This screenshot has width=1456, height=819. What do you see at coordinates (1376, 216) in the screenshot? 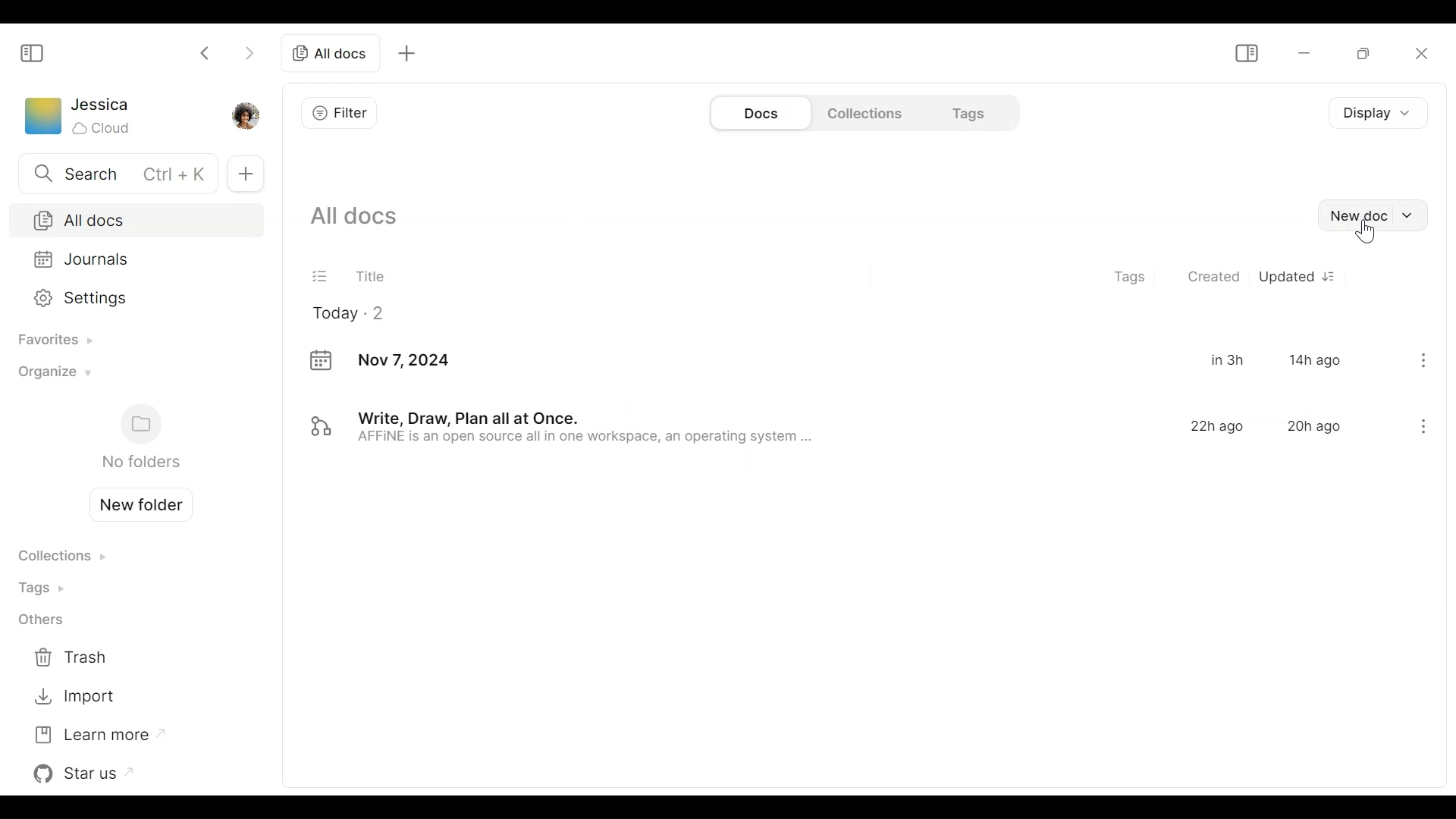
I see `New doc` at bounding box center [1376, 216].